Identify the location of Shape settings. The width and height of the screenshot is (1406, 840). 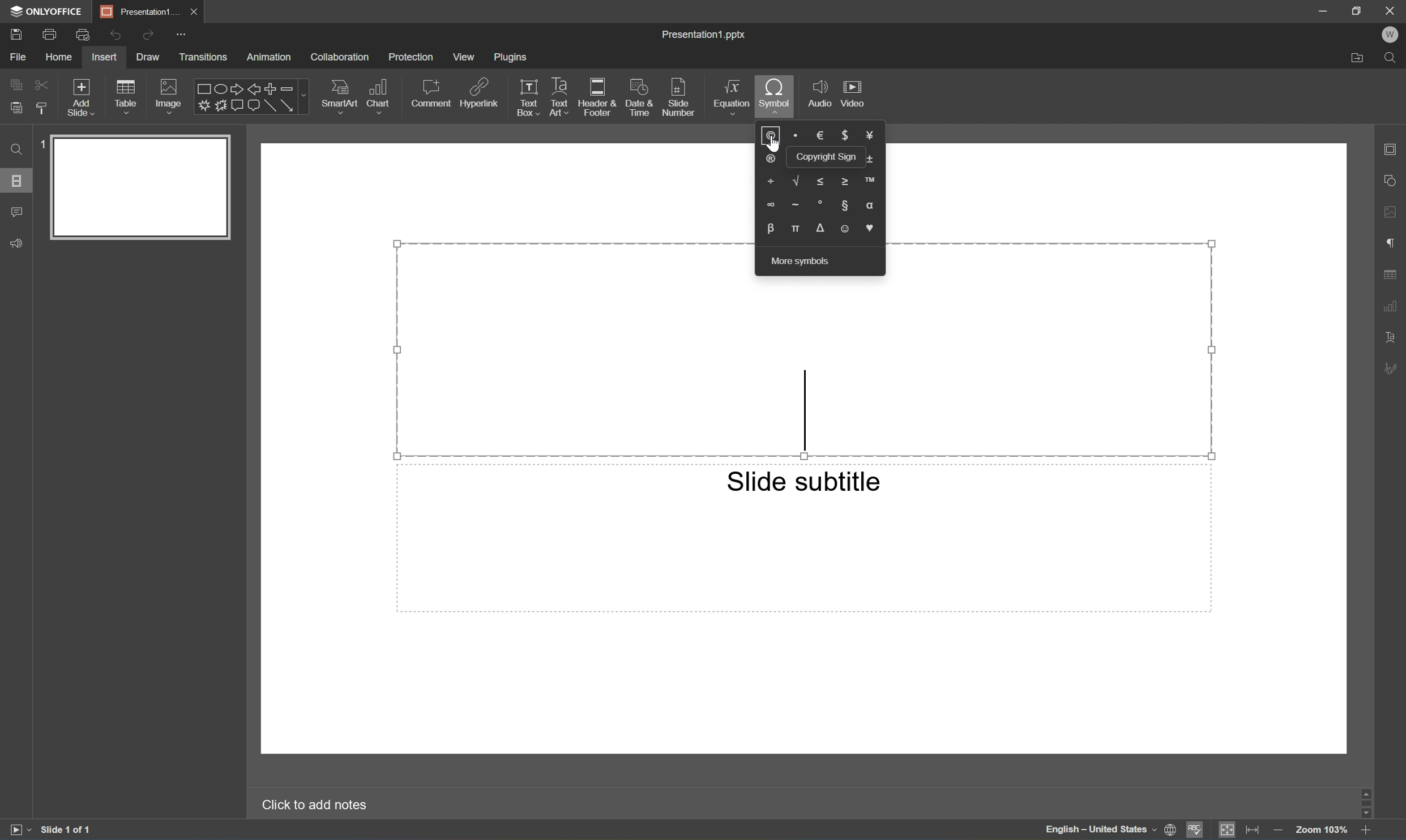
(1390, 179).